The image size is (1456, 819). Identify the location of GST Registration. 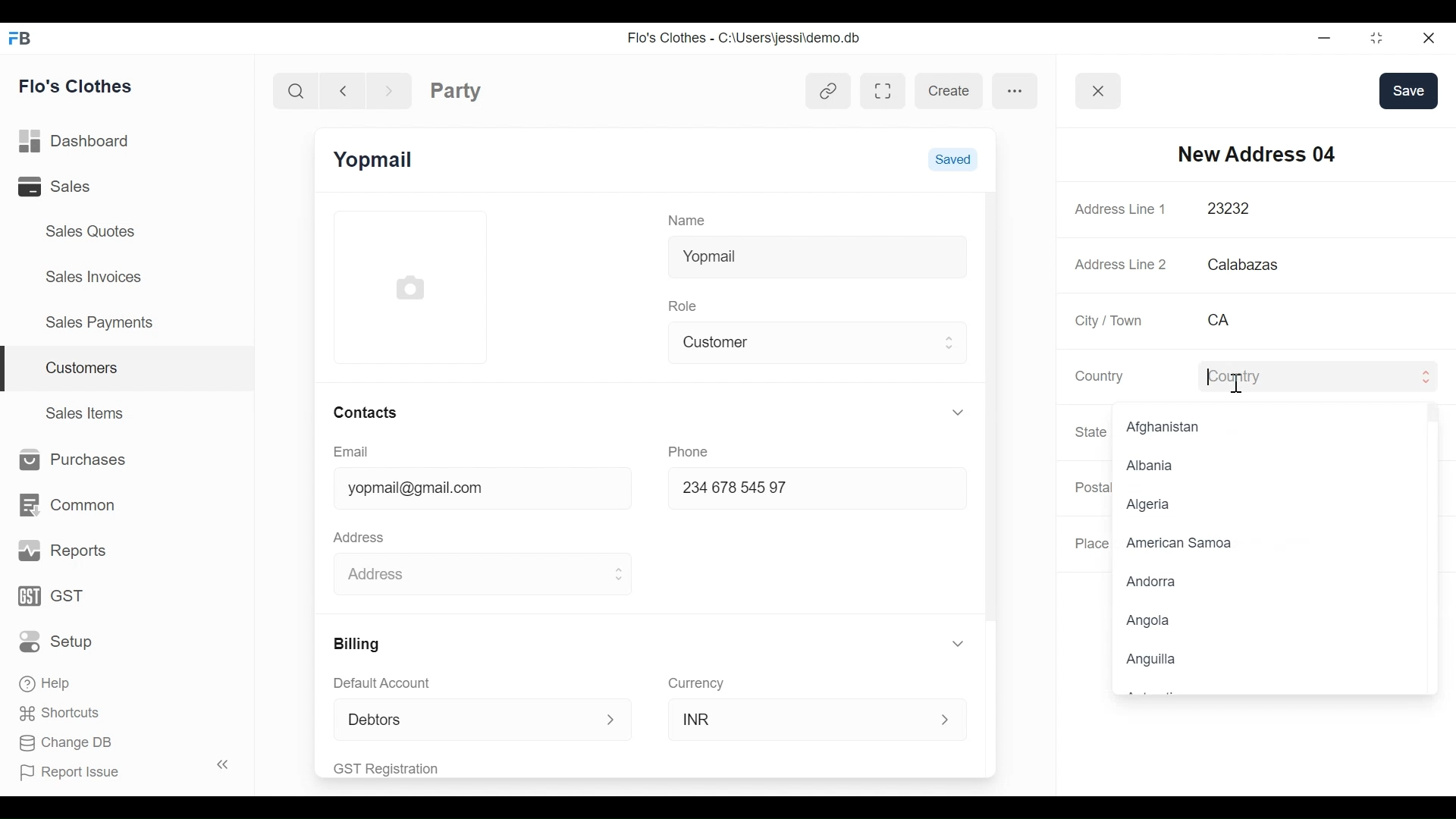
(405, 768).